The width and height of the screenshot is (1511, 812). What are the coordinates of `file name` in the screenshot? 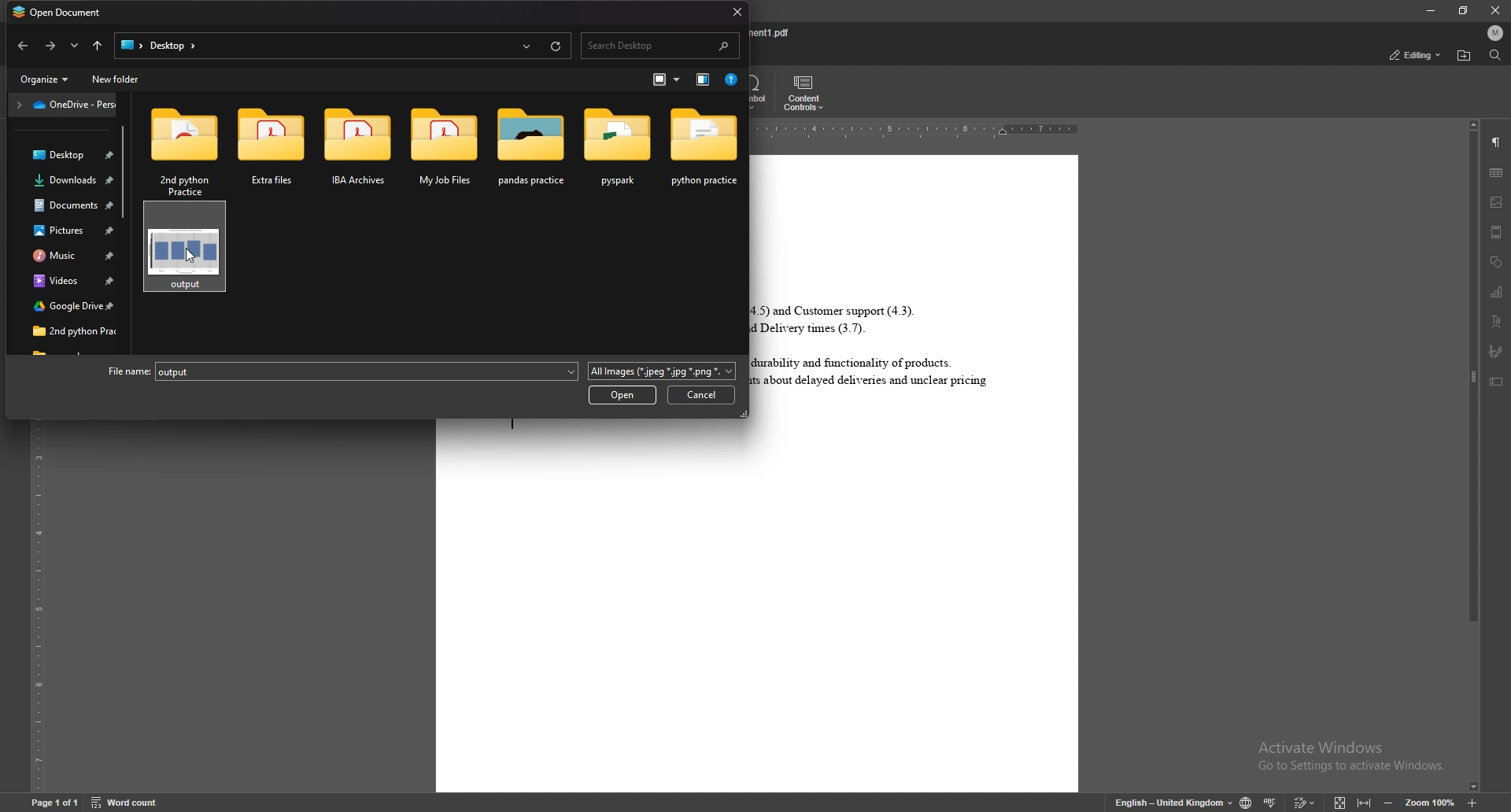 It's located at (772, 32).